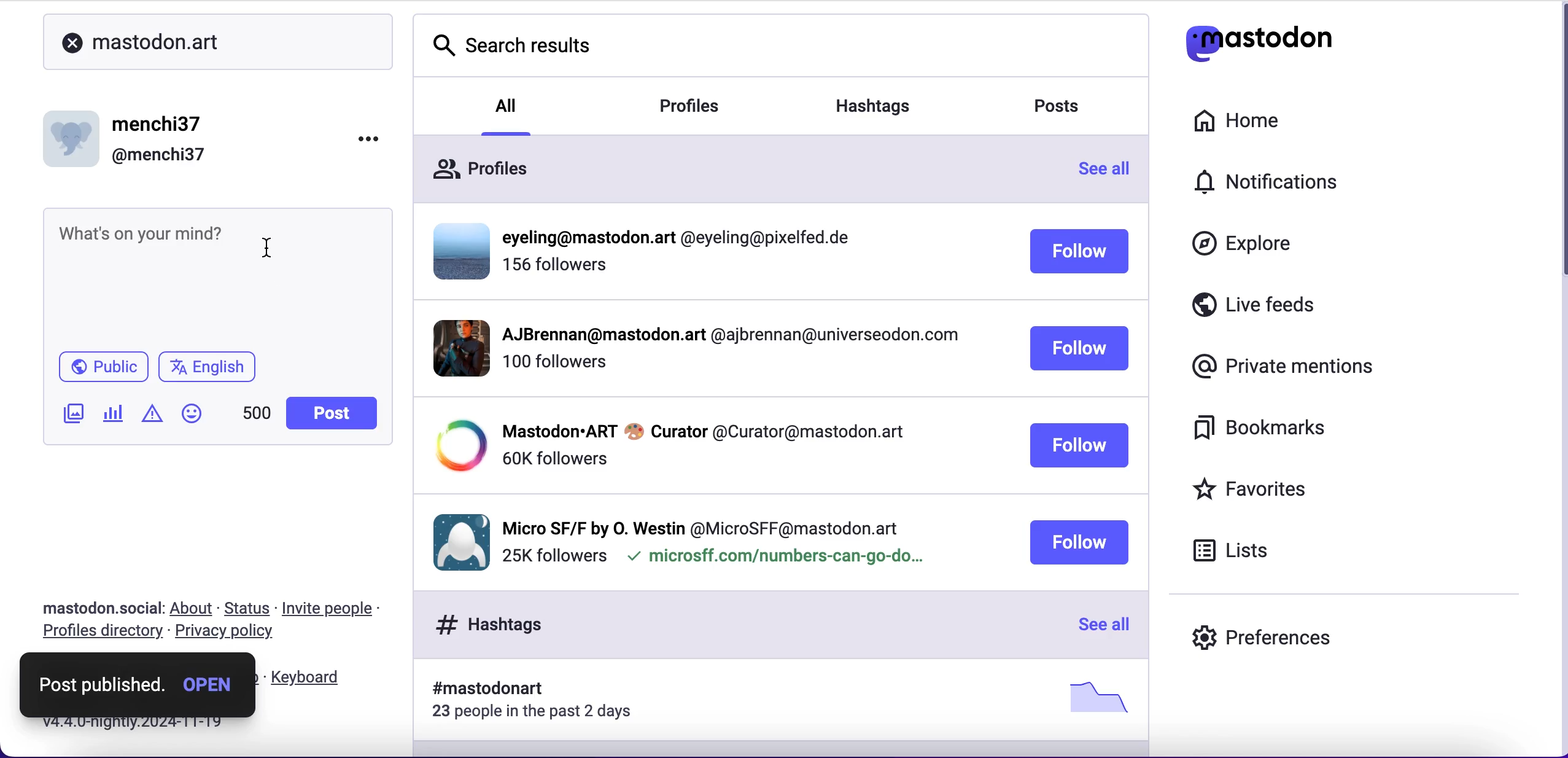 The image size is (1568, 758). What do you see at coordinates (508, 104) in the screenshot?
I see `all` at bounding box center [508, 104].